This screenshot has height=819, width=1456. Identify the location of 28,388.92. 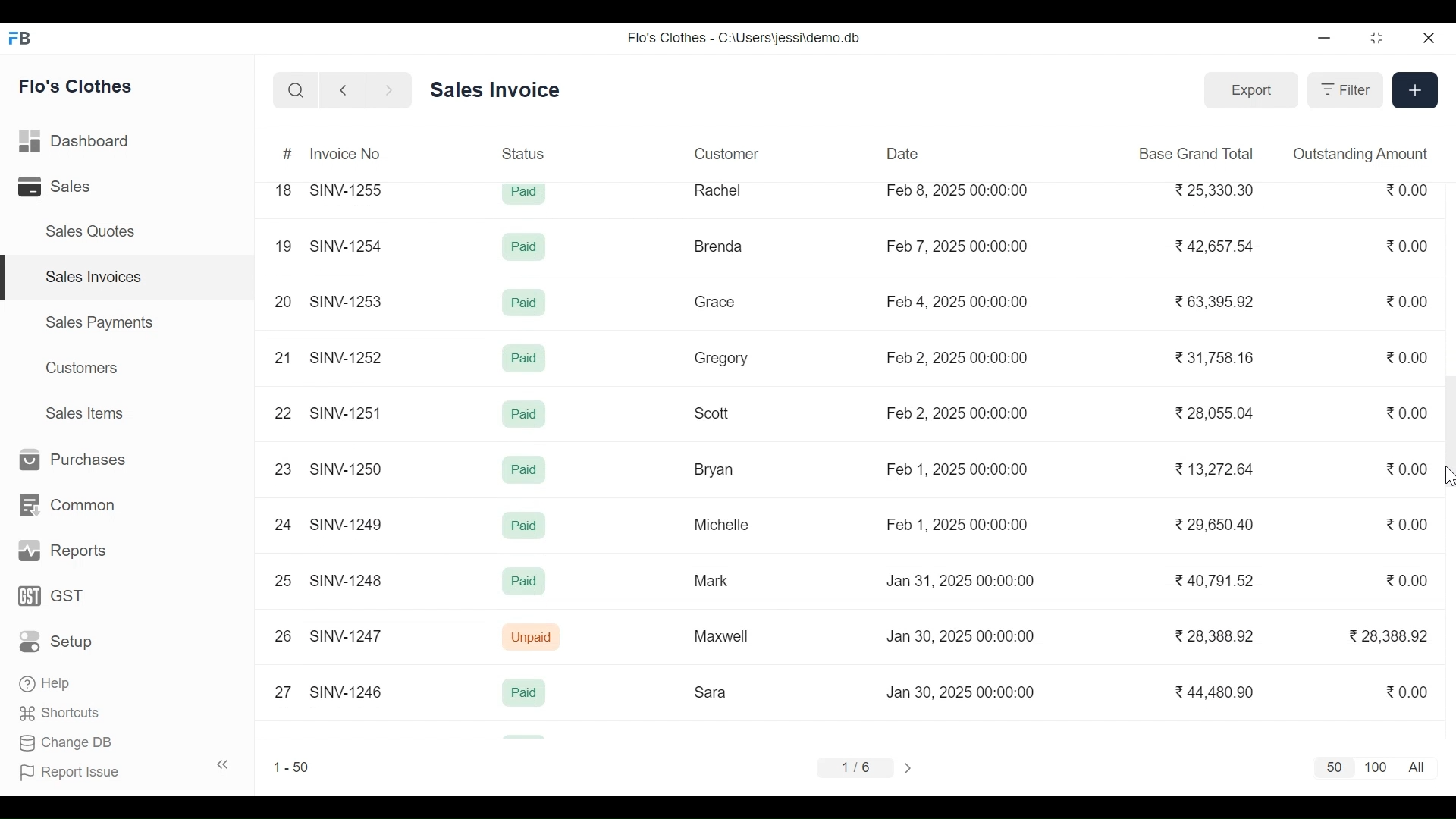
(1219, 636).